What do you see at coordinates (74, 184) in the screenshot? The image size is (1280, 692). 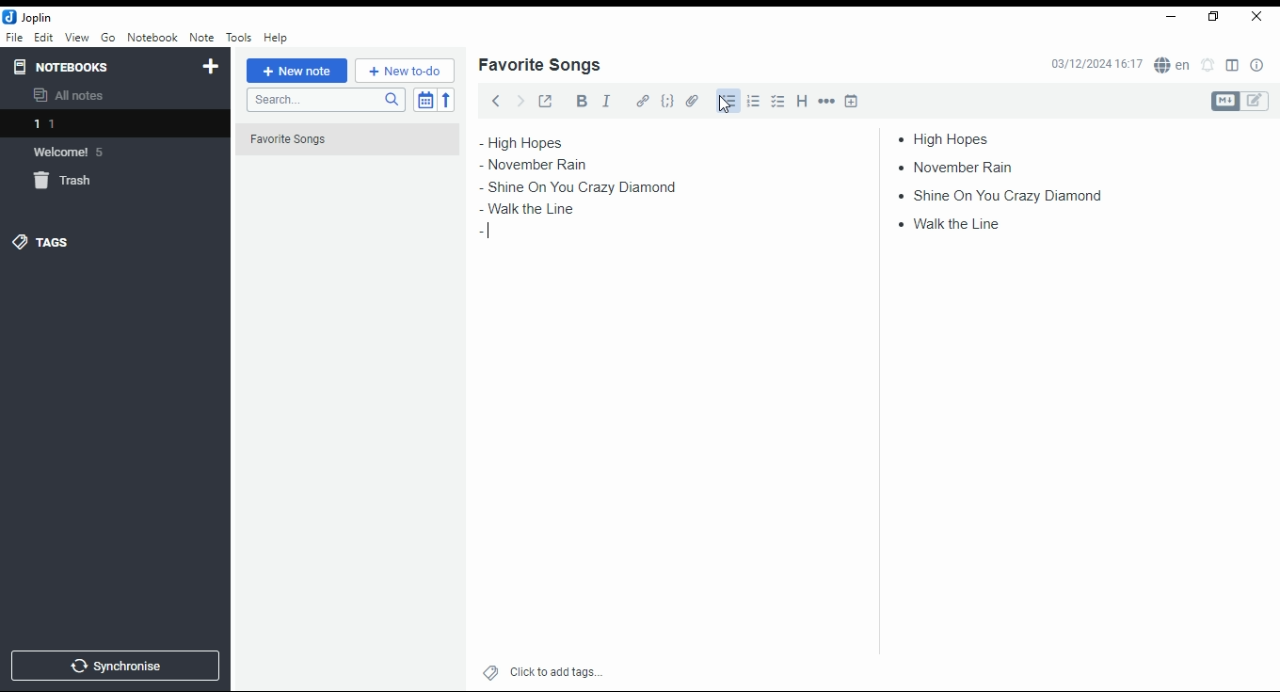 I see `trash` at bounding box center [74, 184].